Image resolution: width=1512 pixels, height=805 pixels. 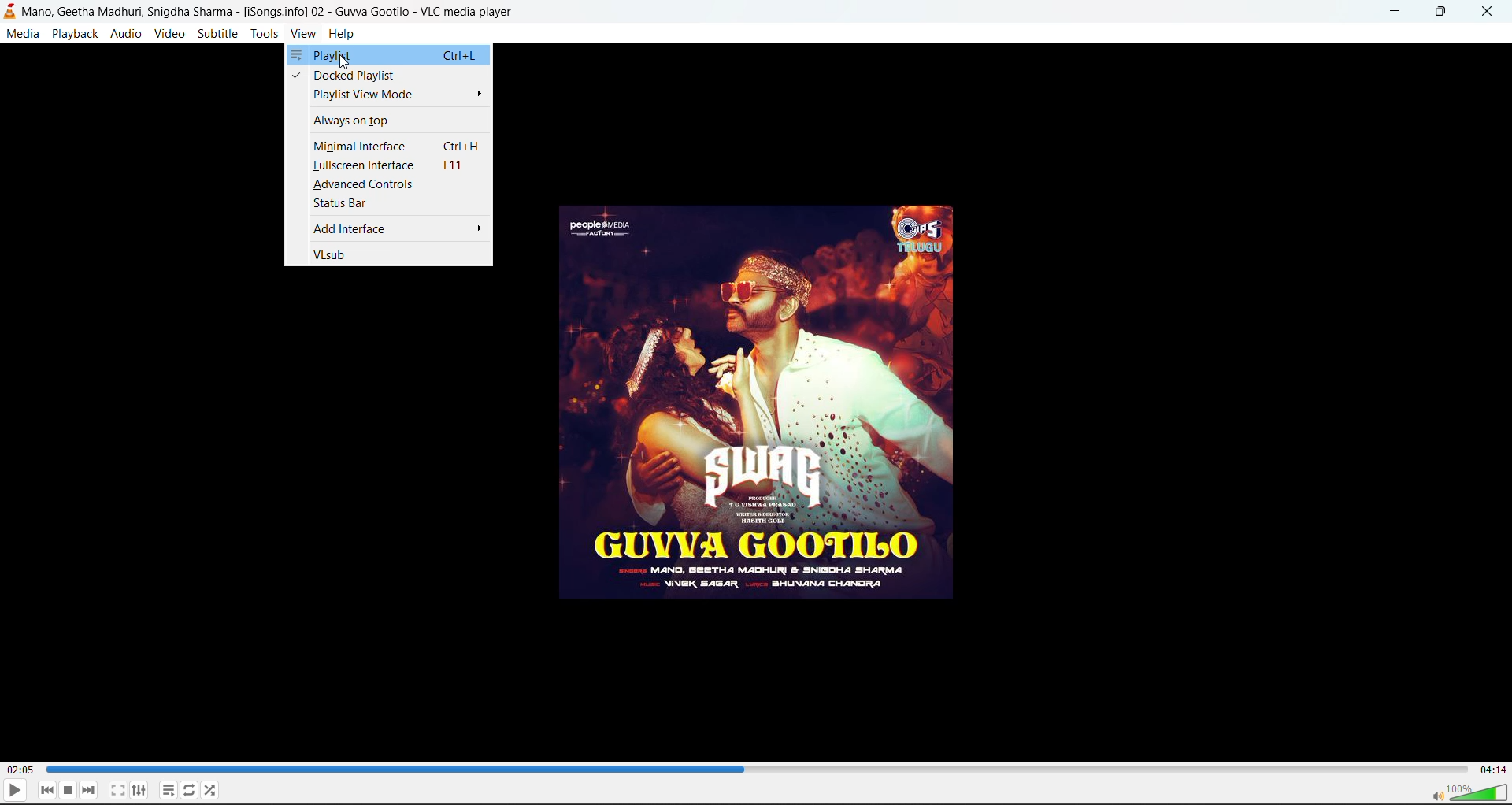 What do you see at coordinates (1468, 792) in the screenshot?
I see `volume` at bounding box center [1468, 792].